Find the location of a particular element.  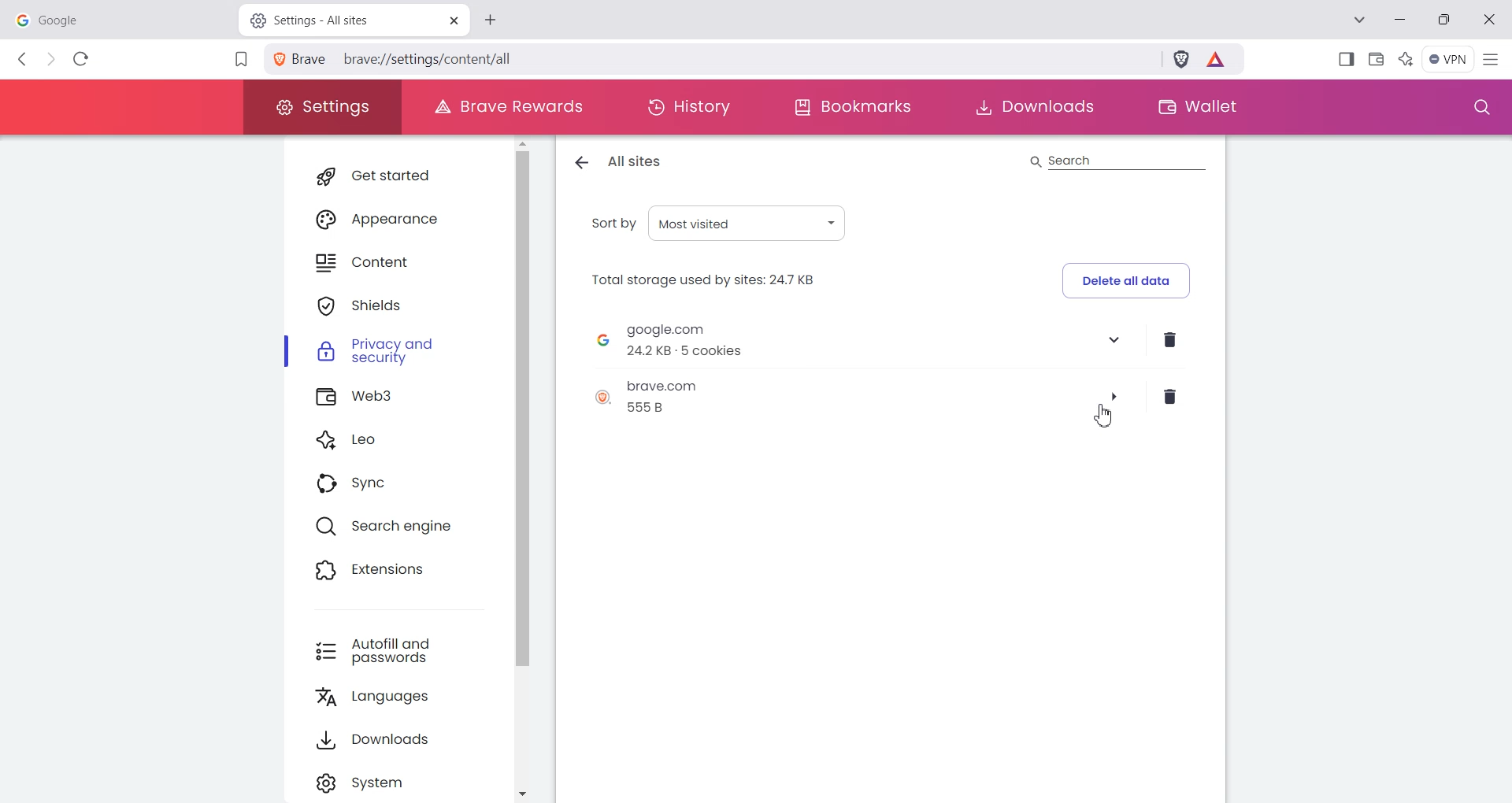

 is located at coordinates (1448, 59).